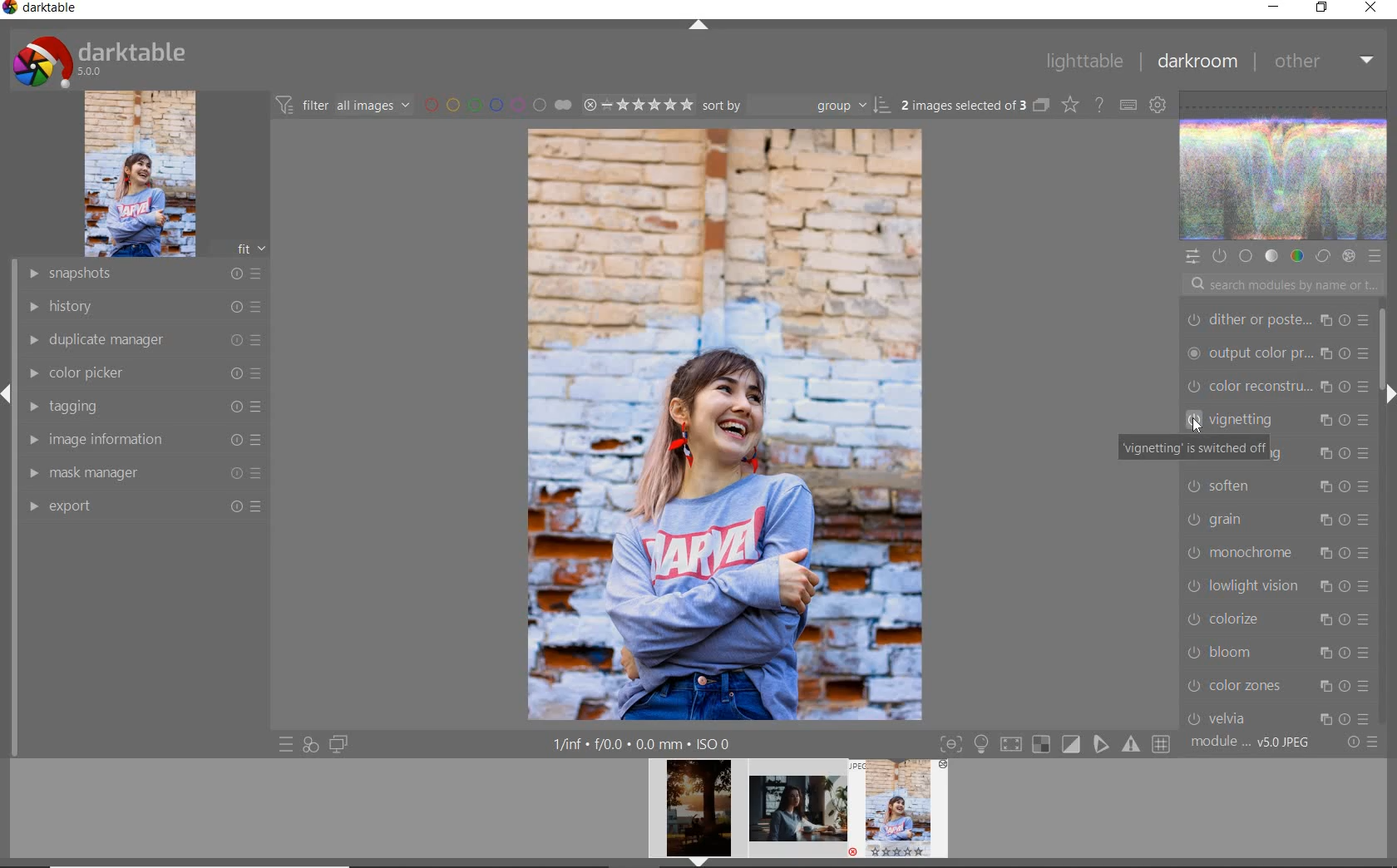 The width and height of the screenshot is (1397, 868). Describe the element at coordinates (41, 10) in the screenshot. I see `system name` at that location.